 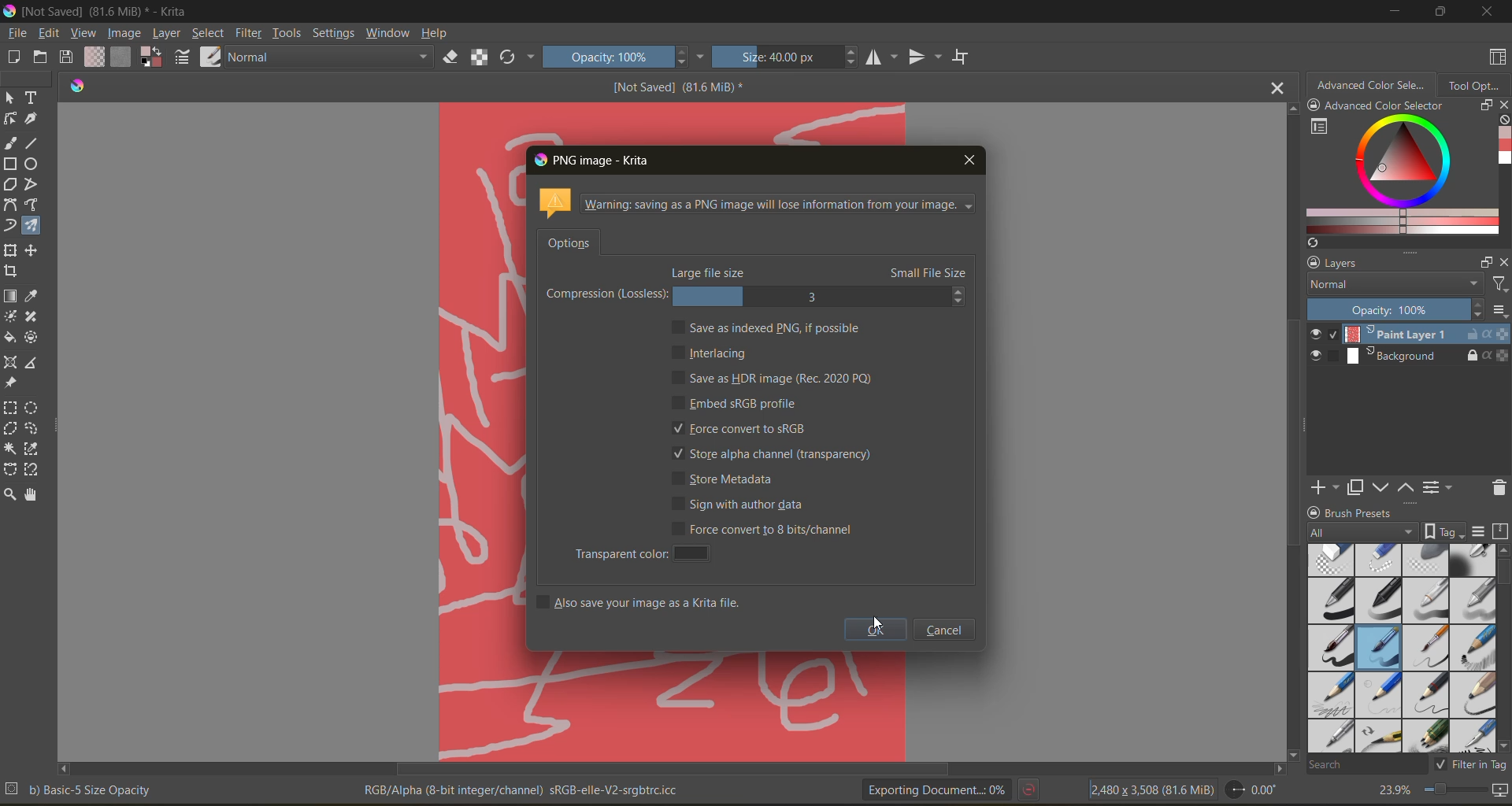 I want to click on Advanced color selector, so click(x=1384, y=107).